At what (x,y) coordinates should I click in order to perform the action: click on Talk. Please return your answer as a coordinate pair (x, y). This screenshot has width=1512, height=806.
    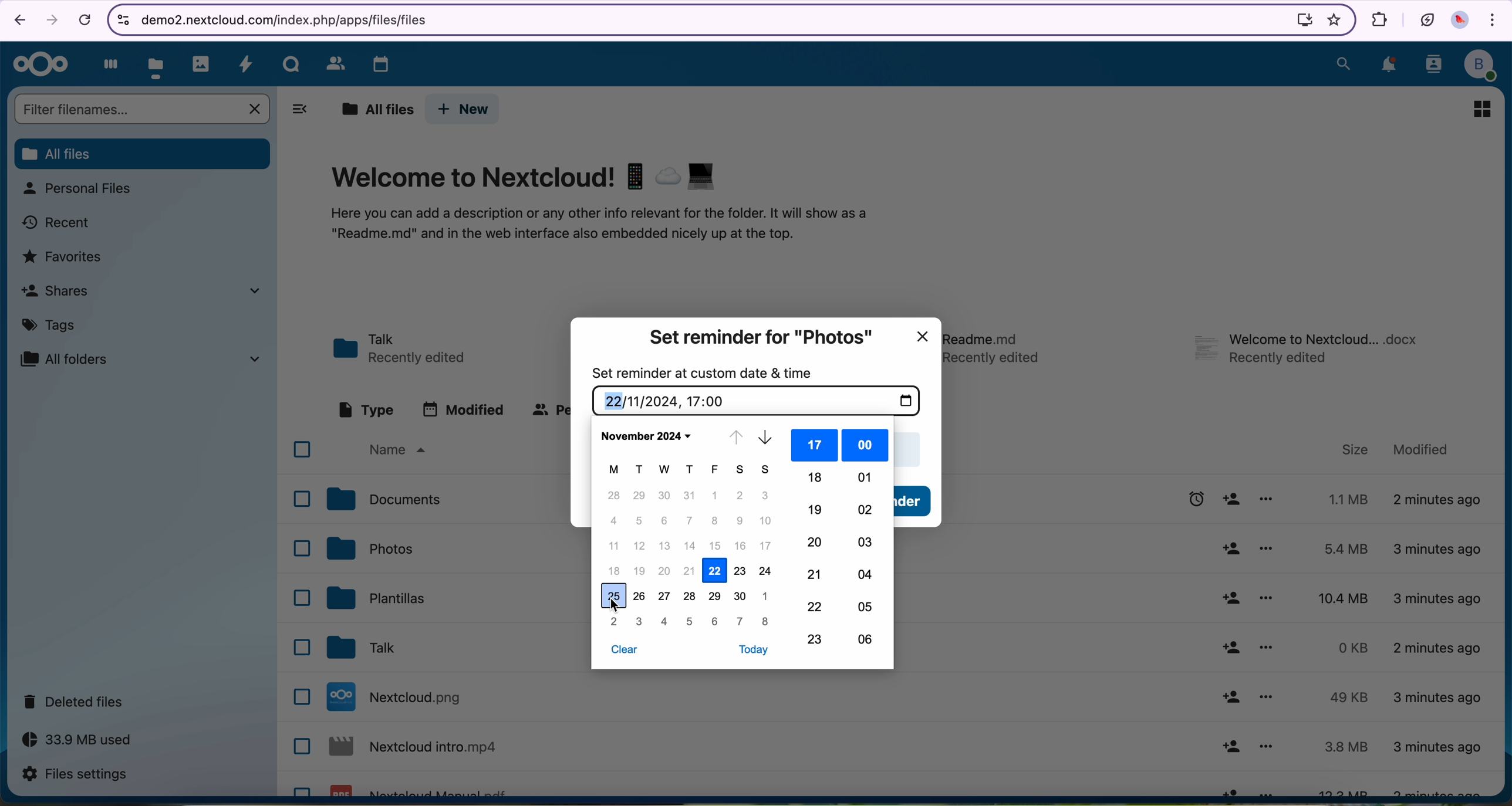
    Looking at the image, I should click on (292, 63).